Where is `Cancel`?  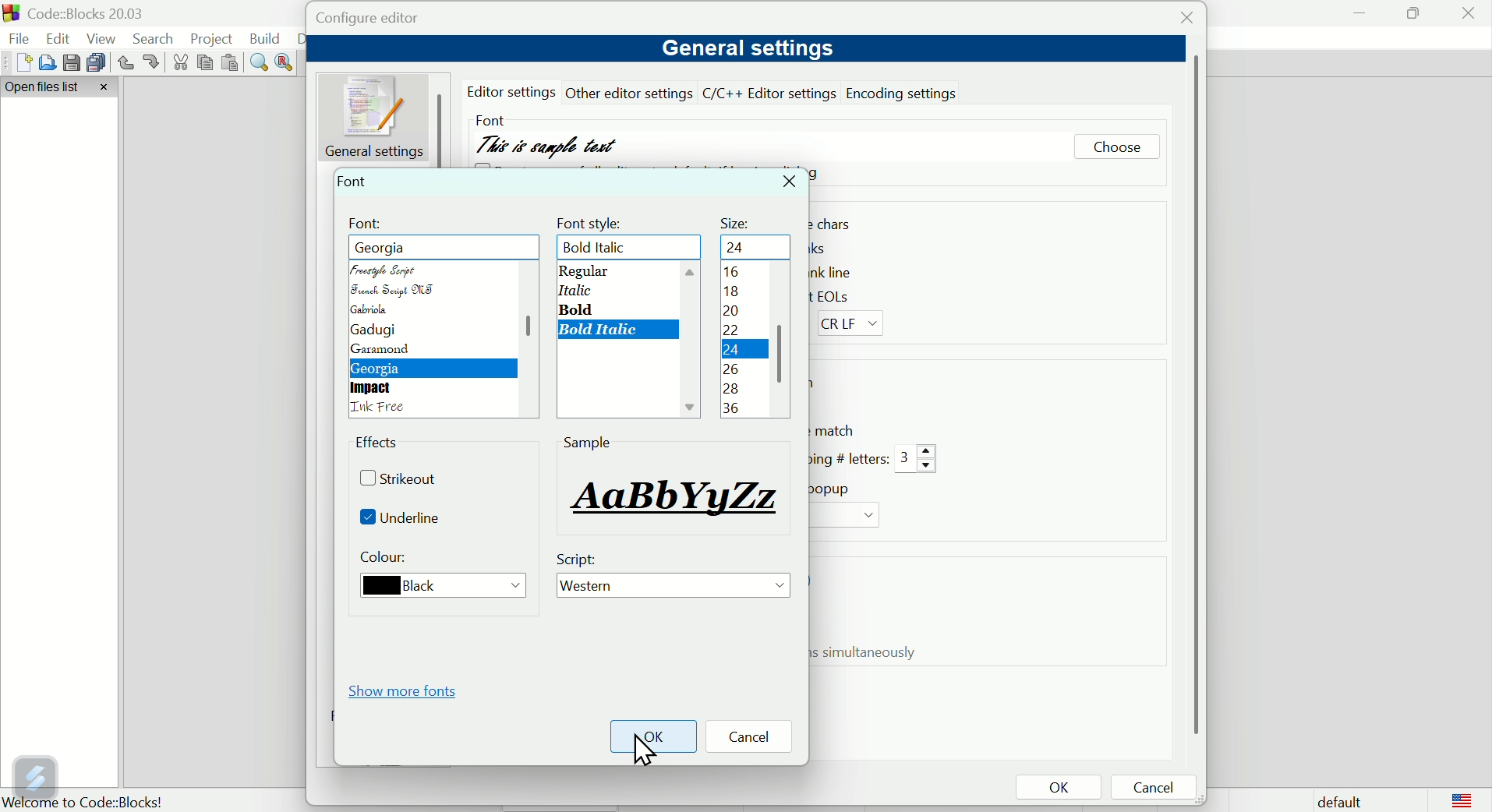
Cancel is located at coordinates (755, 738).